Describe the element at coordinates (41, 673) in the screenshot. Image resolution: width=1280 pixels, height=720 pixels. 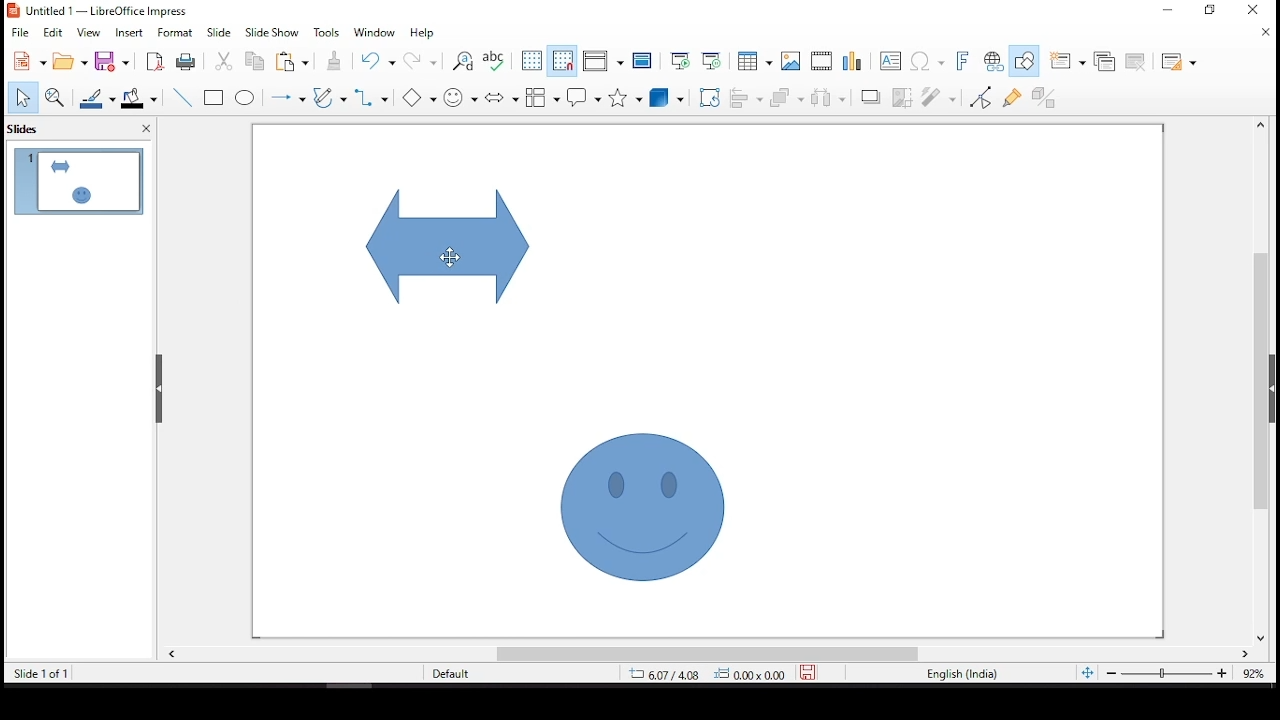
I see `slide 1 of 1` at that location.